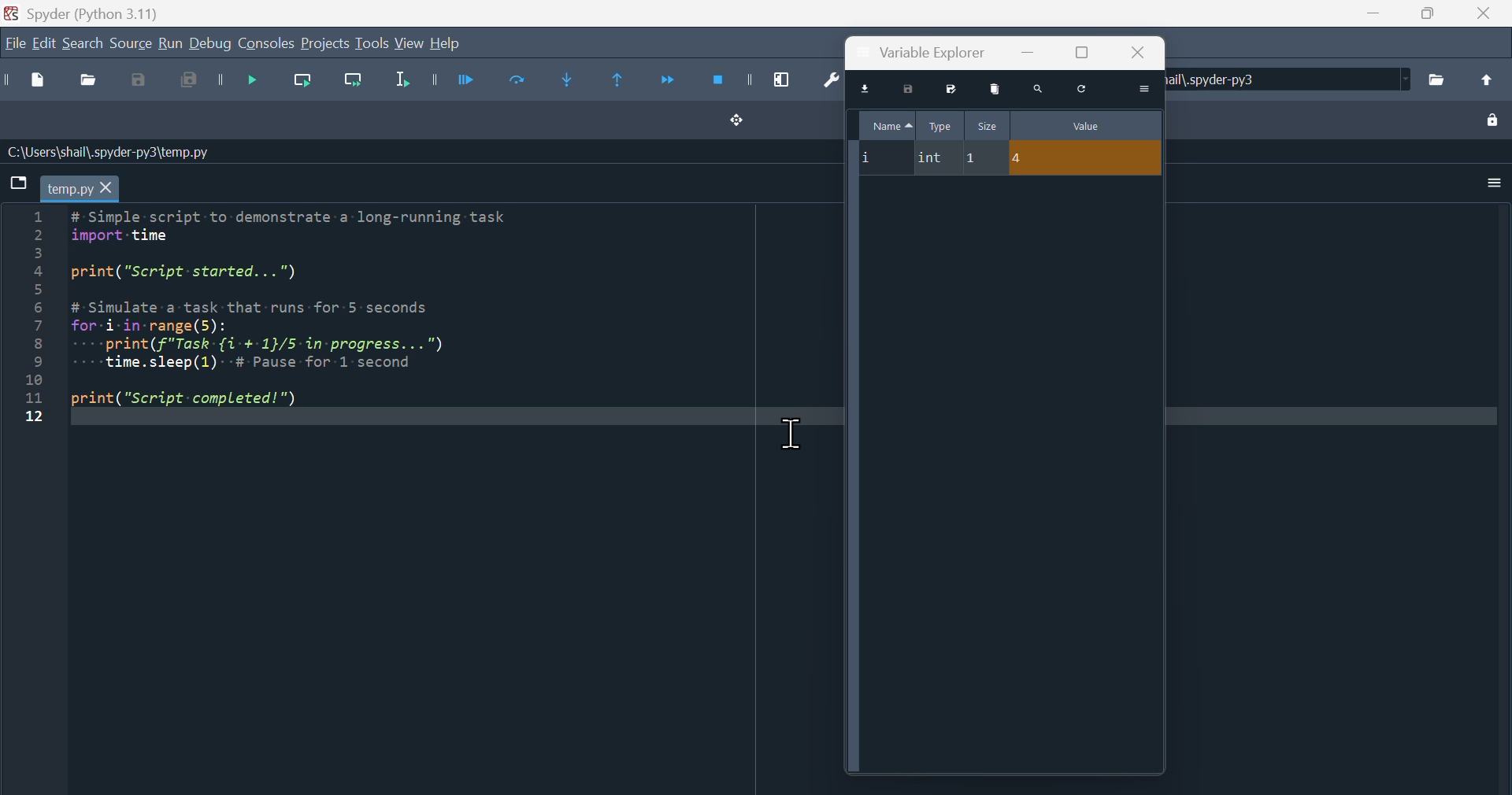  I want to click on Debug, so click(210, 44).